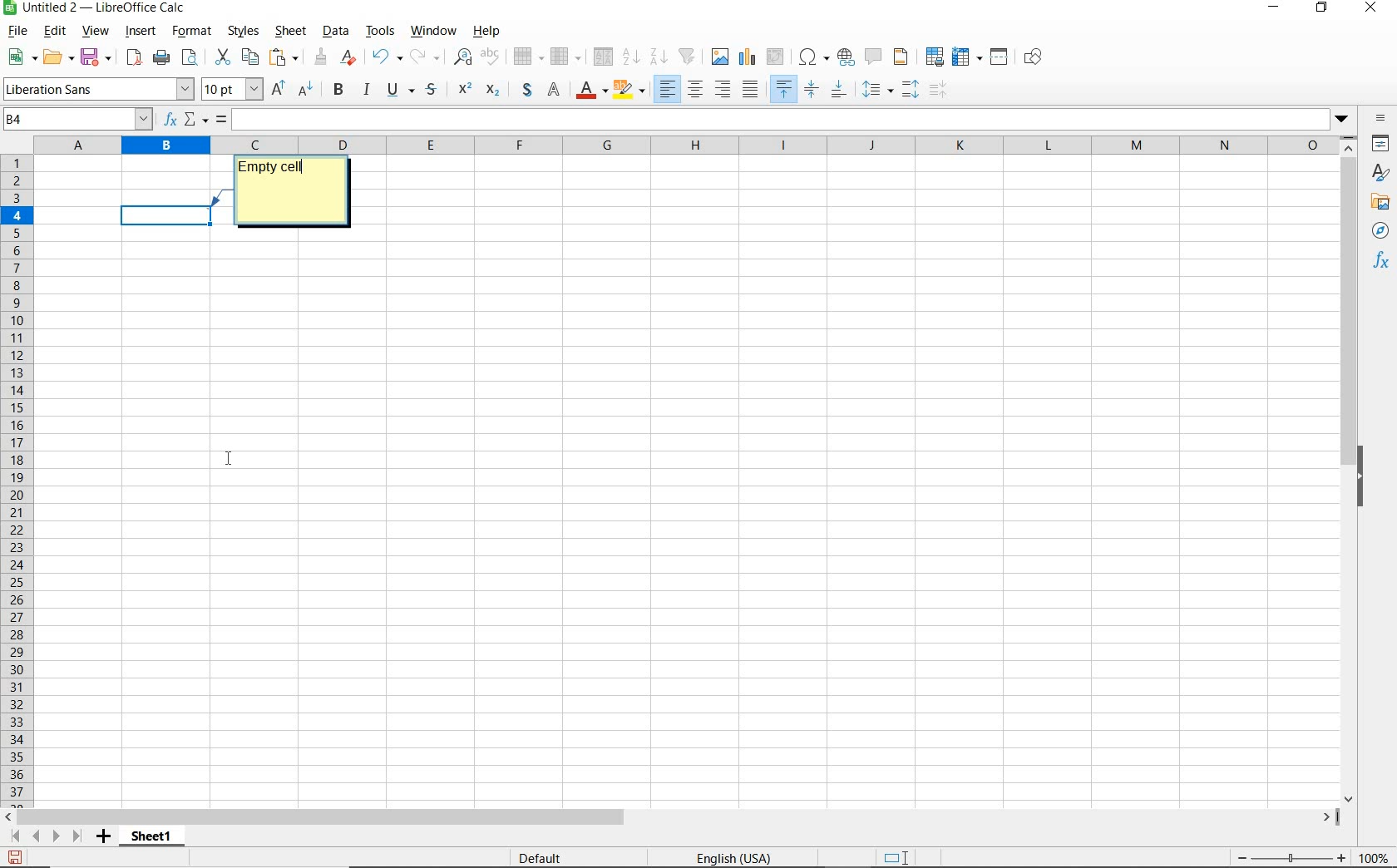 The height and width of the screenshot is (868, 1397). Describe the element at coordinates (1350, 471) in the screenshot. I see `scrollbar` at that location.